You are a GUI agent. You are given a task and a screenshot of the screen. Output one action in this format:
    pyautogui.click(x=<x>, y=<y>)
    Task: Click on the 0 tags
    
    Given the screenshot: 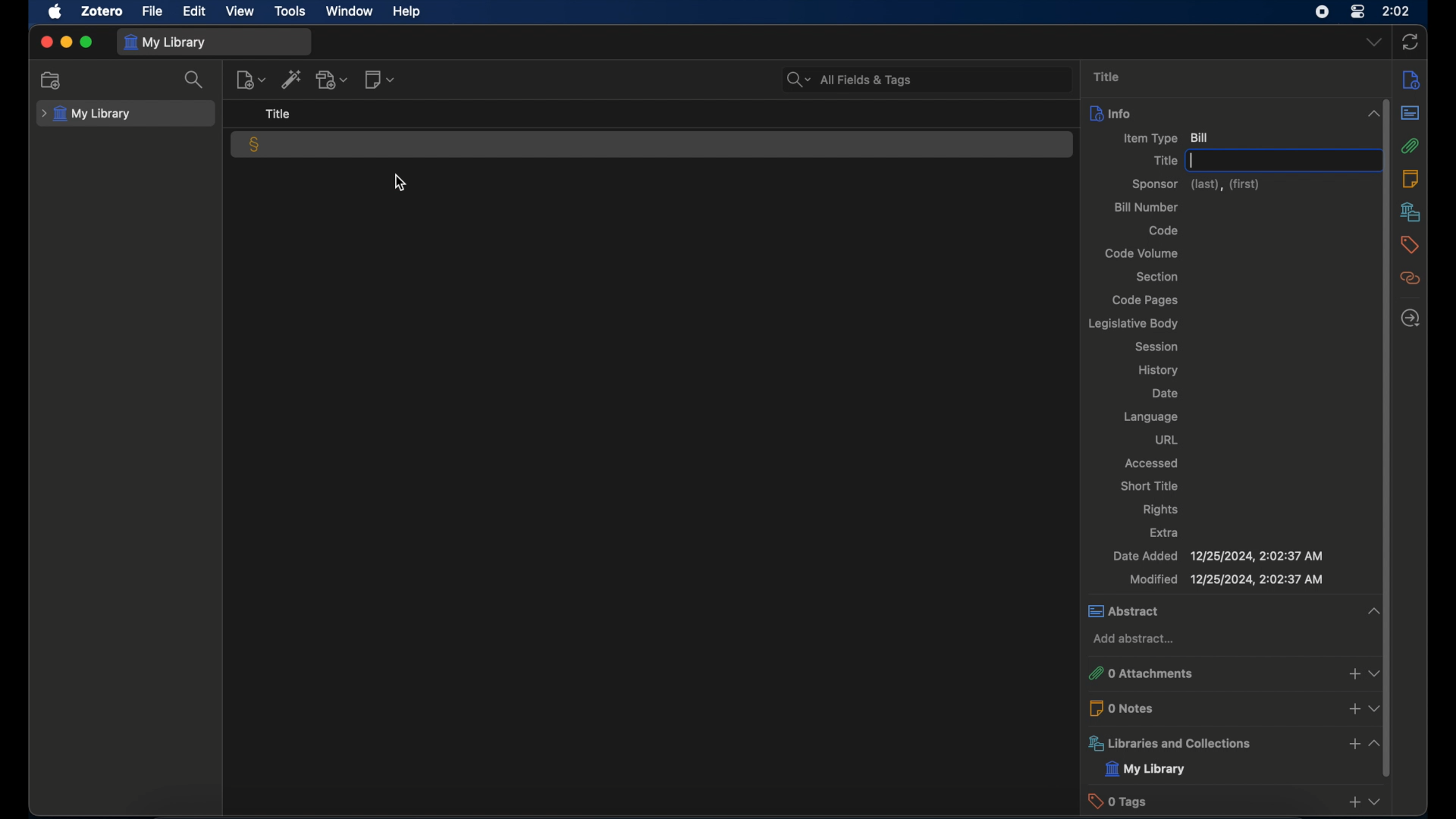 What is the action you would take?
    pyautogui.click(x=1234, y=801)
    